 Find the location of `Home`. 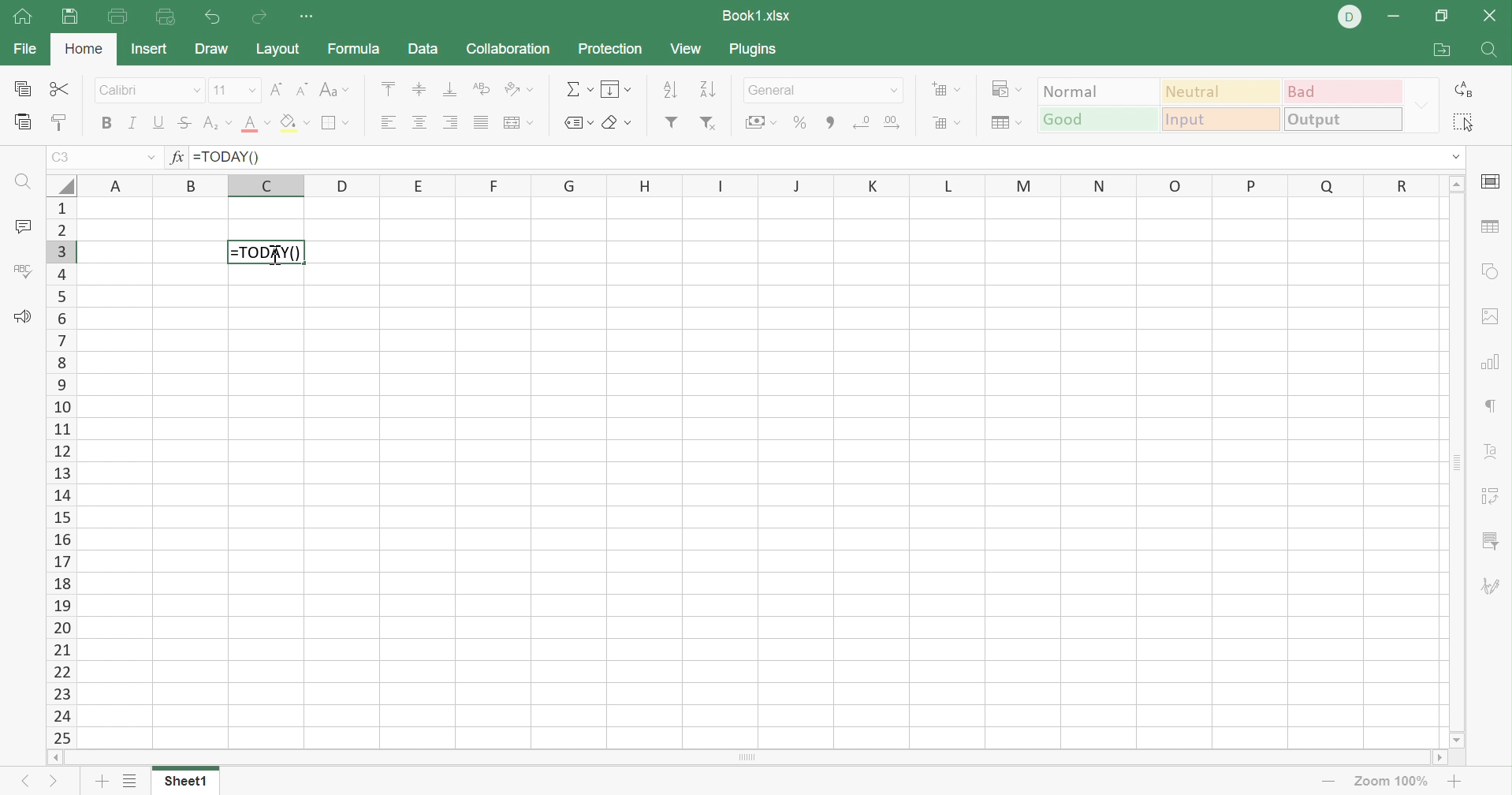

Home is located at coordinates (83, 51).